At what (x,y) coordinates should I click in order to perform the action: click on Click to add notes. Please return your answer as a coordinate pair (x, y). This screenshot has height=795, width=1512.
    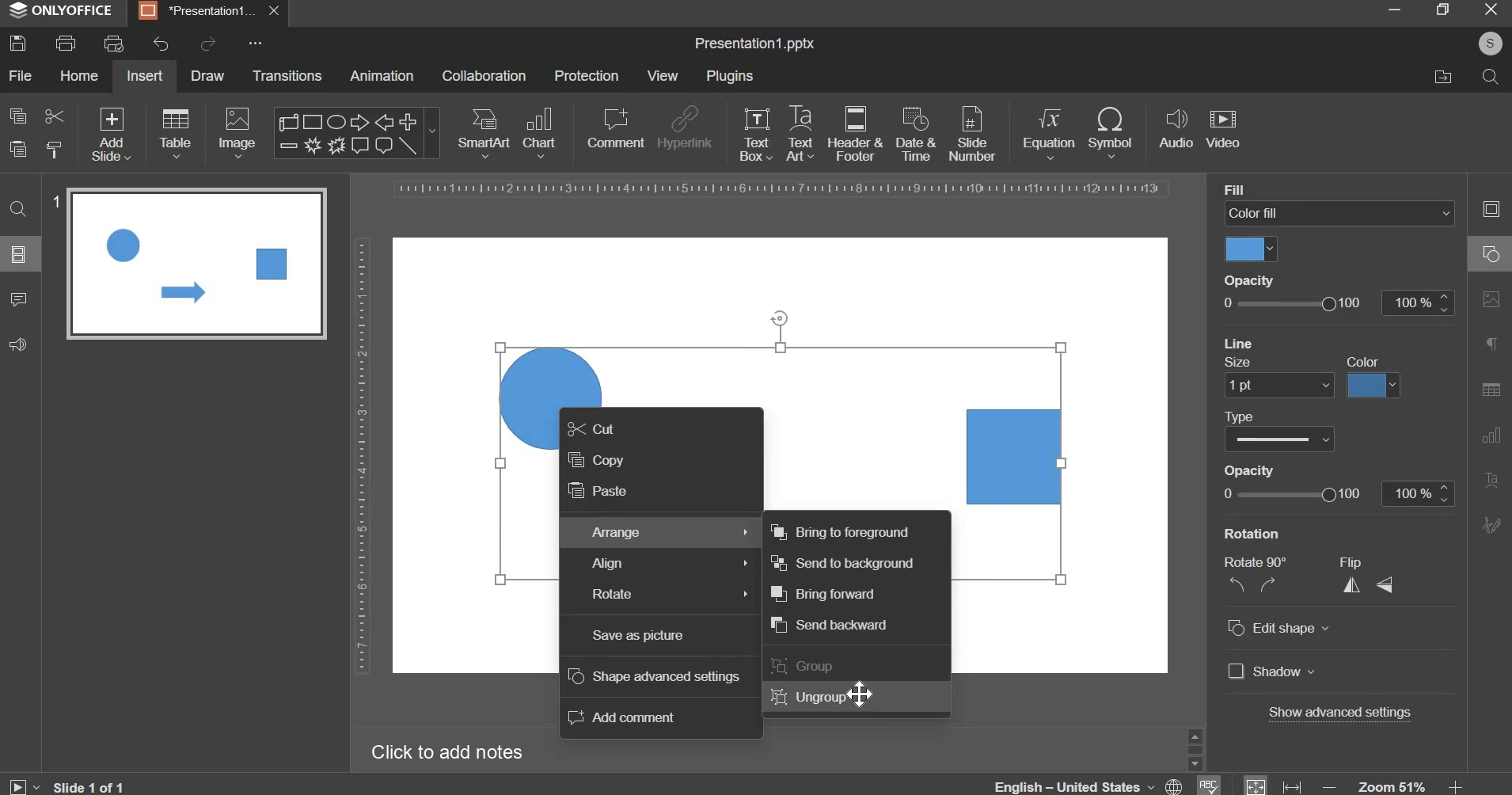
    Looking at the image, I should click on (446, 751).